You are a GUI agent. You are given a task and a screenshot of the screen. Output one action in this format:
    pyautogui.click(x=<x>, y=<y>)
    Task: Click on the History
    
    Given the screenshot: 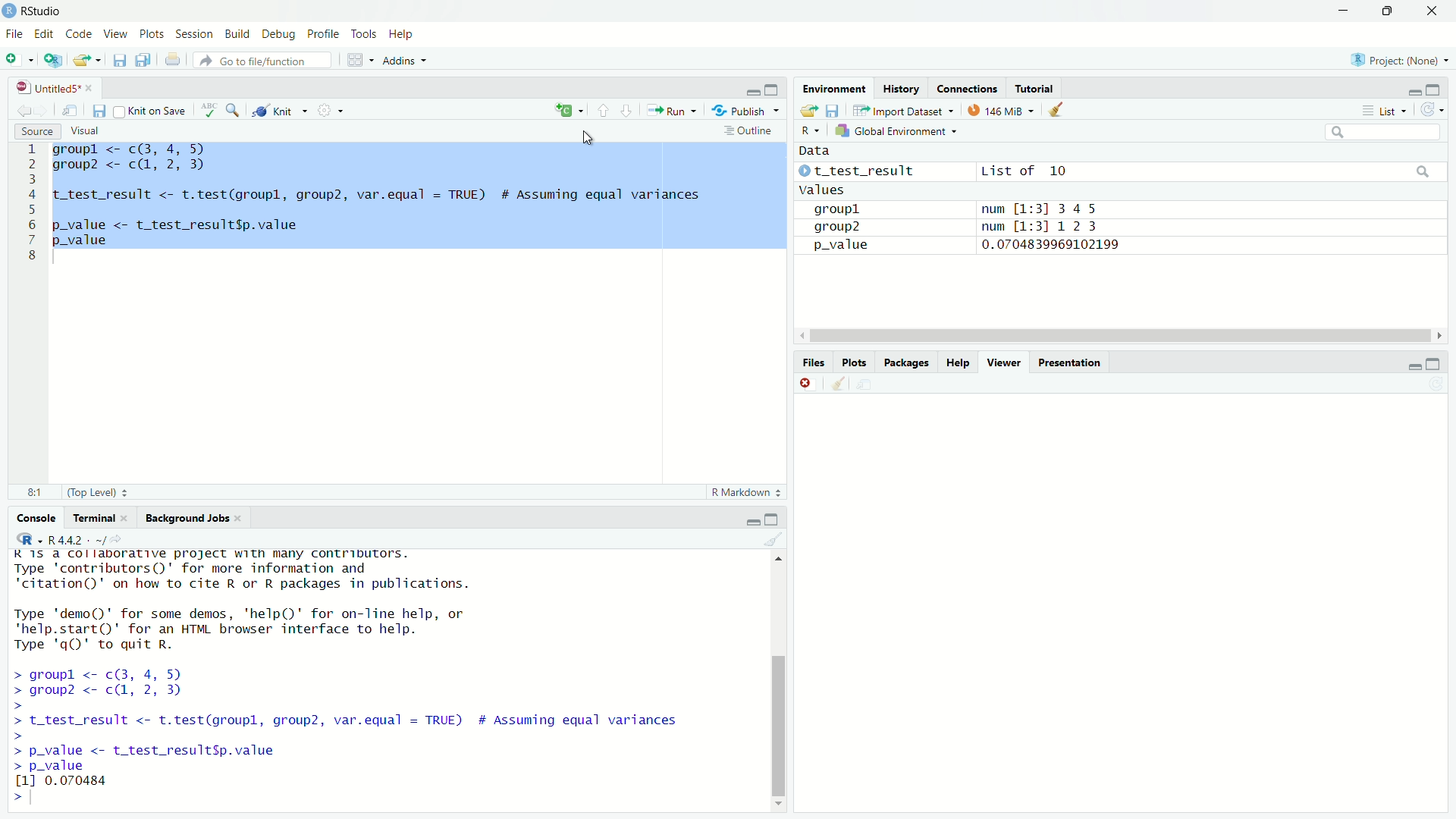 What is the action you would take?
    pyautogui.click(x=900, y=87)
    